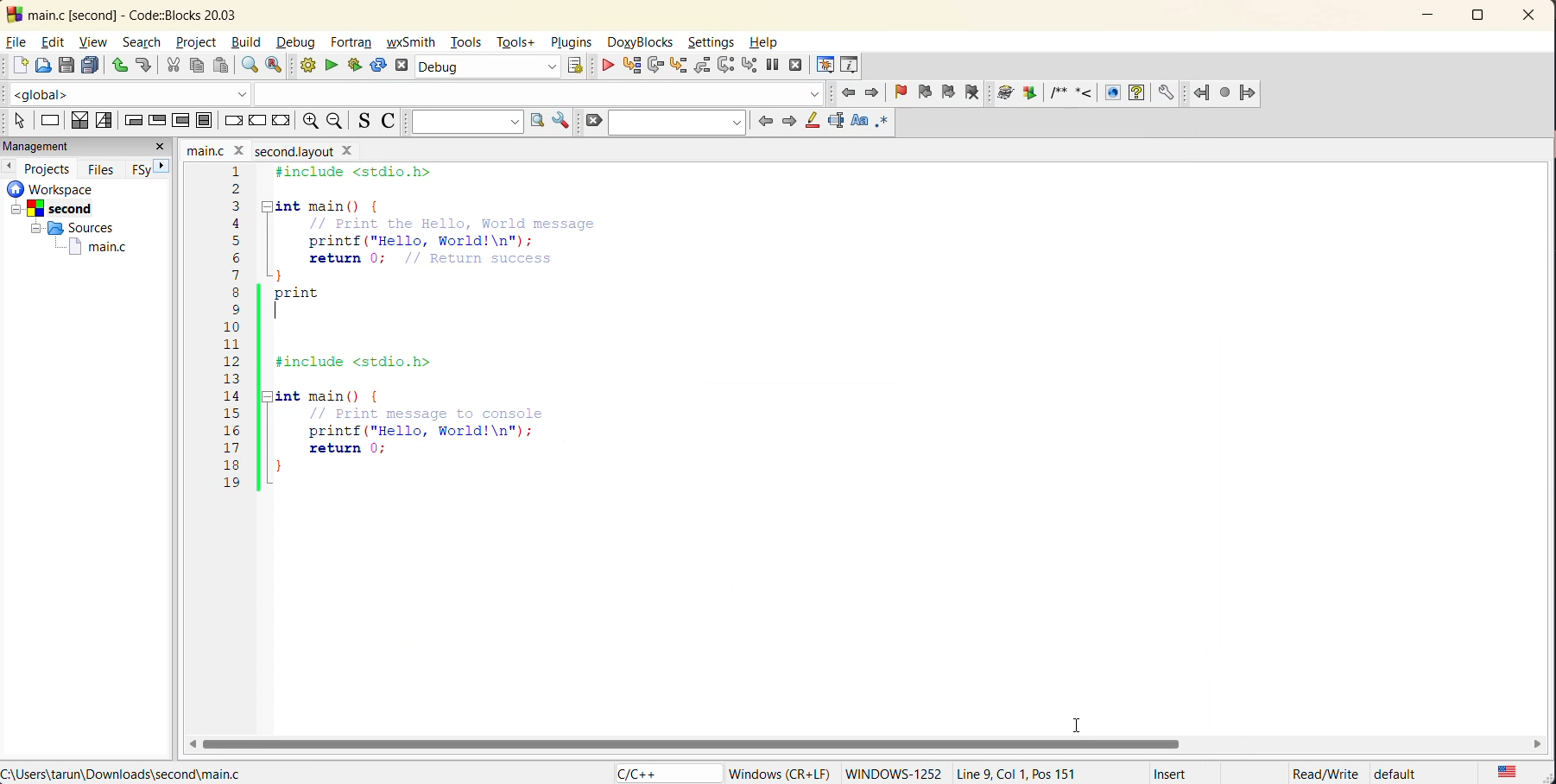 Image resolution: width=1556 pixels, height=784 pixels. What do you see at coordinates (655, 67) in the screenshot?
I see `next line` at bounding box center [655, 67].